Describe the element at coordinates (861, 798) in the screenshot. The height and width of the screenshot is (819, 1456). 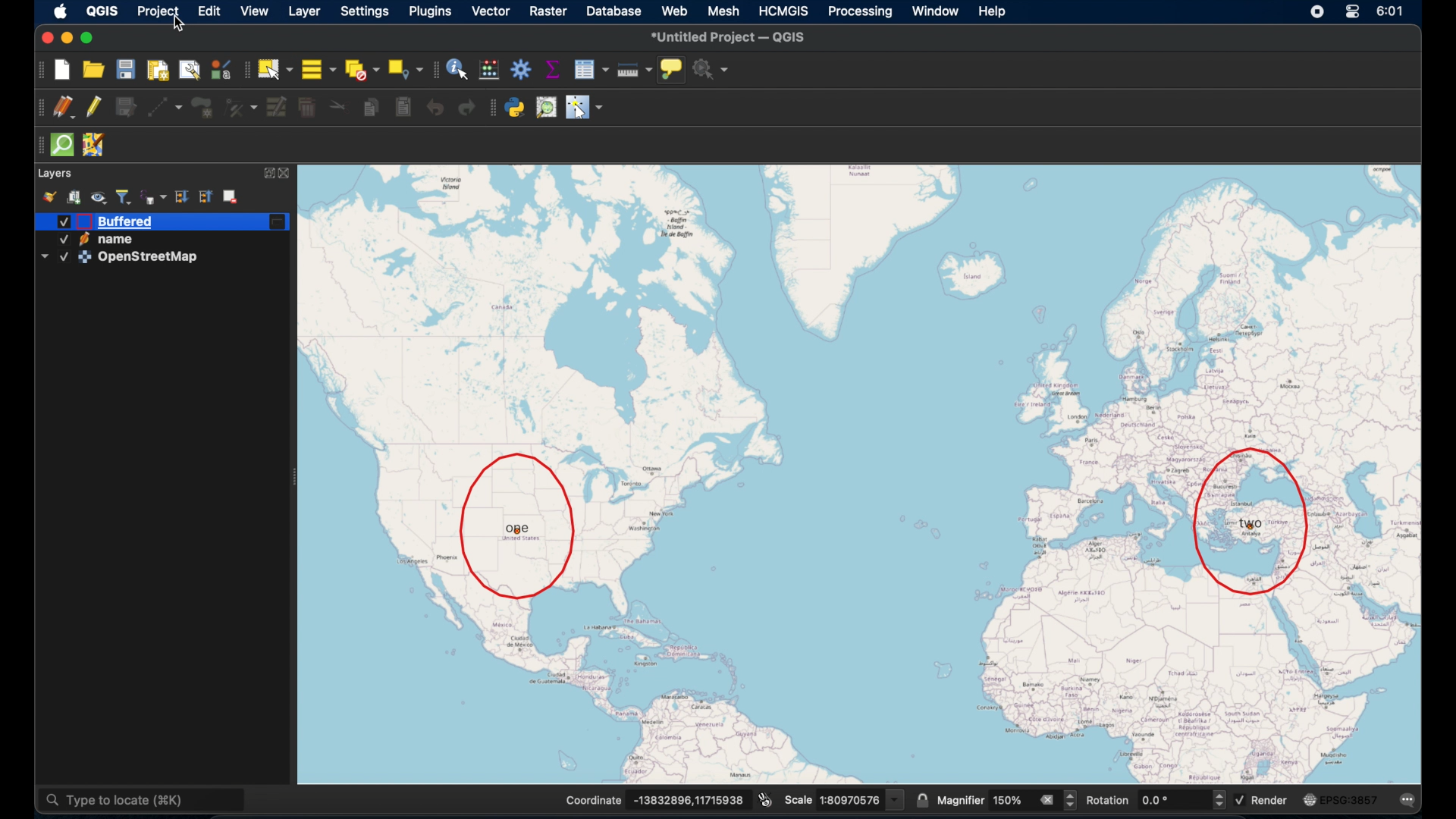
I see `scale value` at that location.